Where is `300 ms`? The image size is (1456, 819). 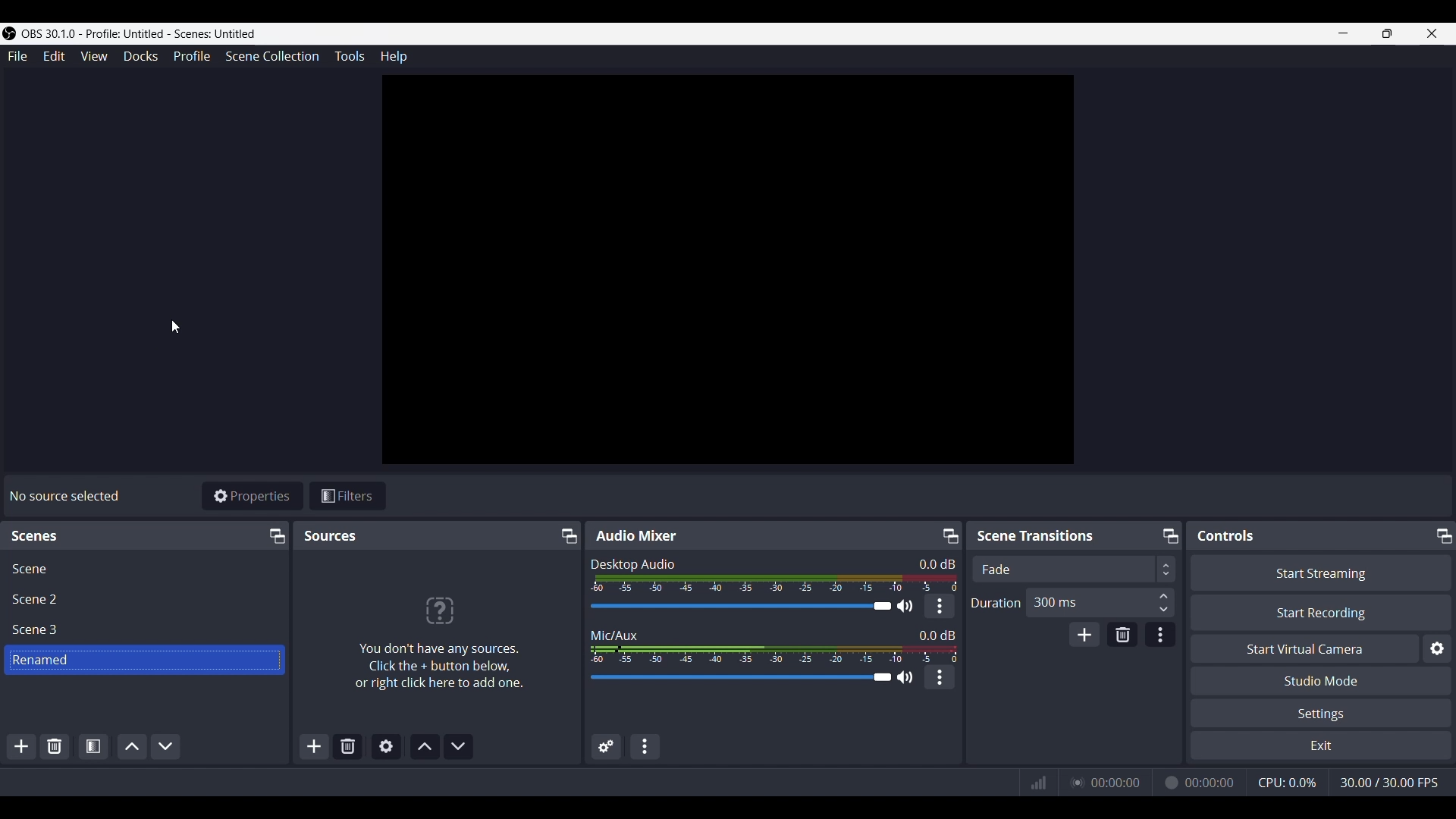 300 ms is located at coordinates (1055, 601).